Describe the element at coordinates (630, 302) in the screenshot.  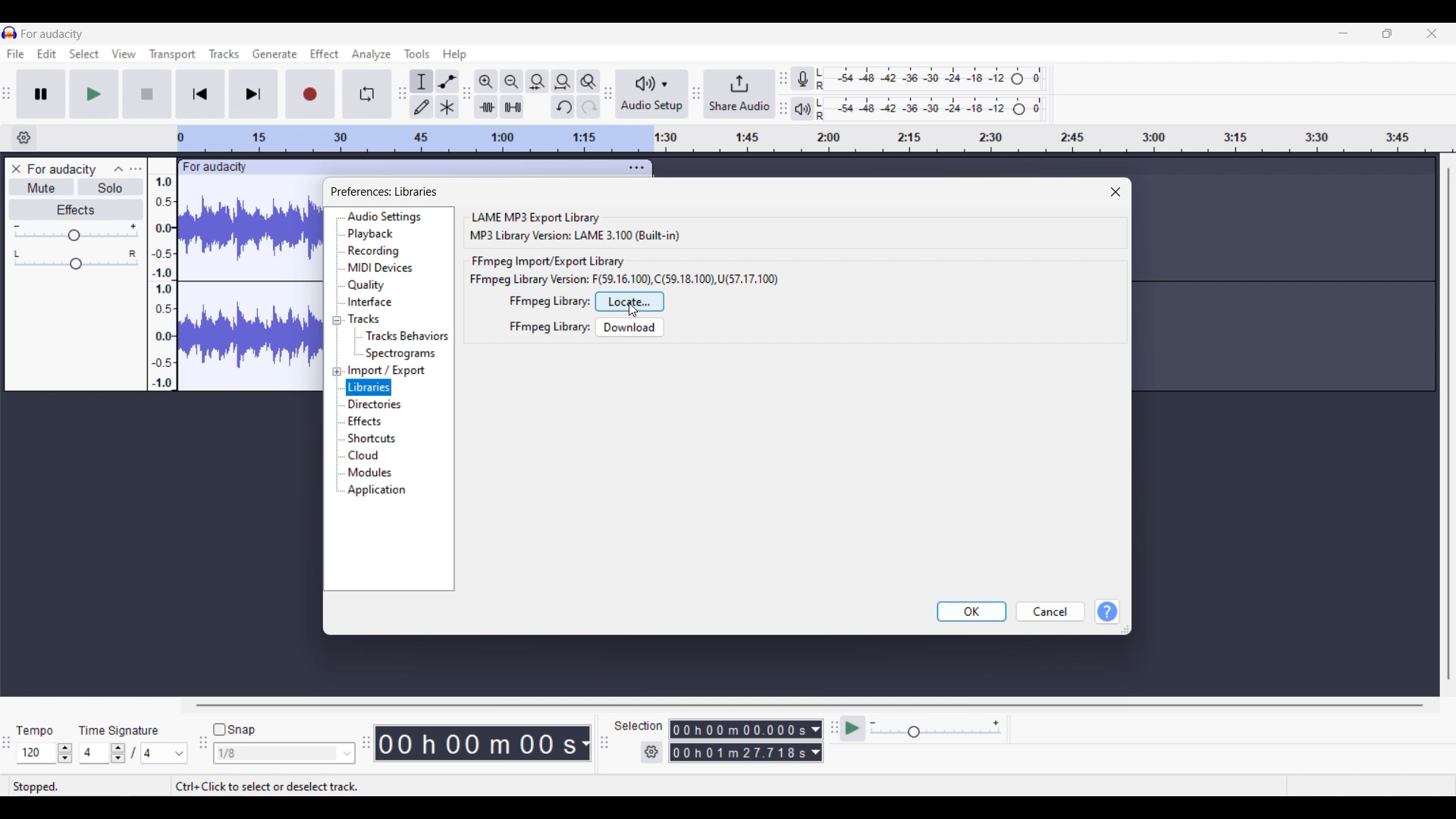
I see `locate` at that location.